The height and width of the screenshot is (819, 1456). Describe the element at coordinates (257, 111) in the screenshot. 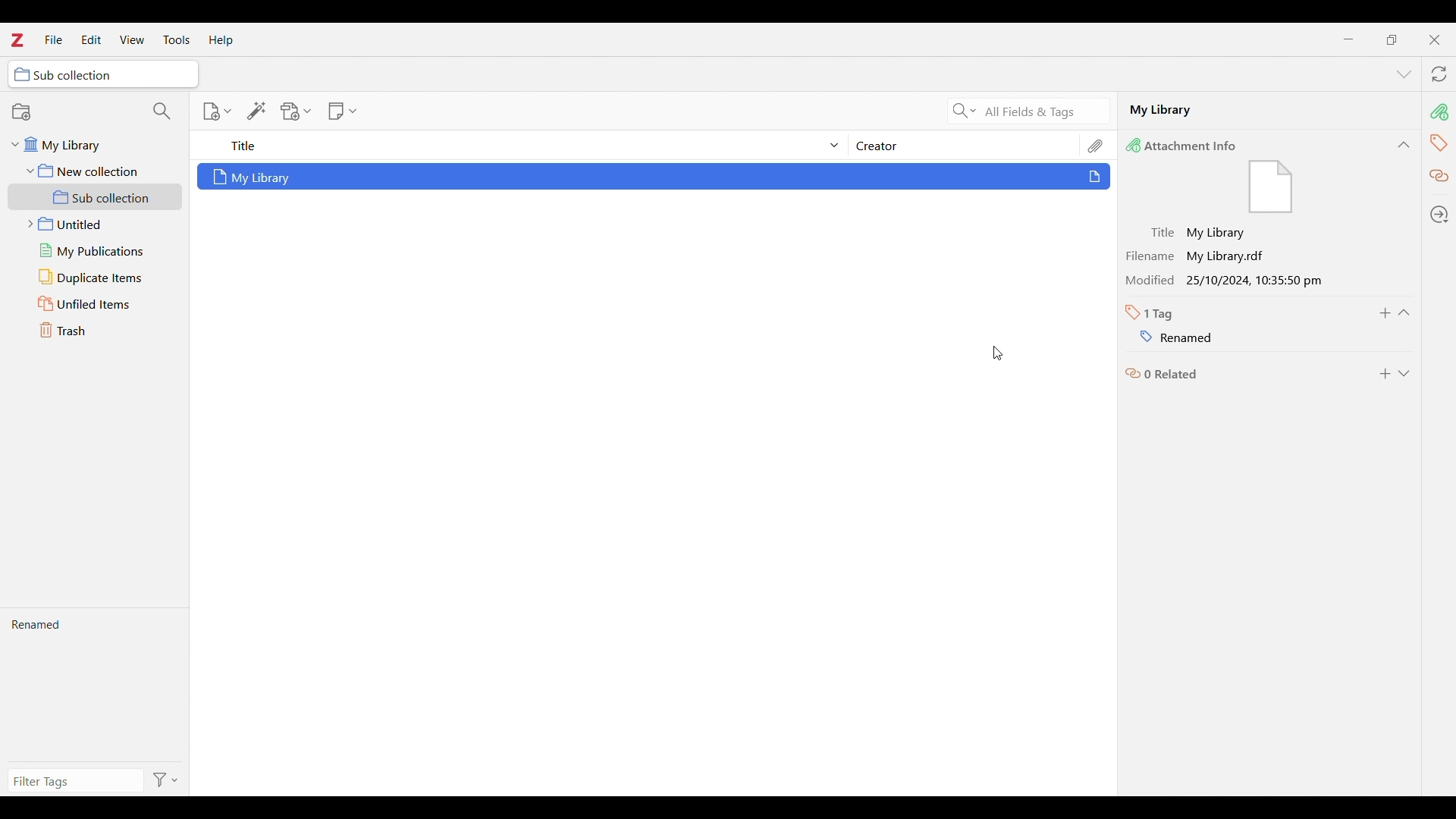

I see `Add item/s by identifier` at that location.